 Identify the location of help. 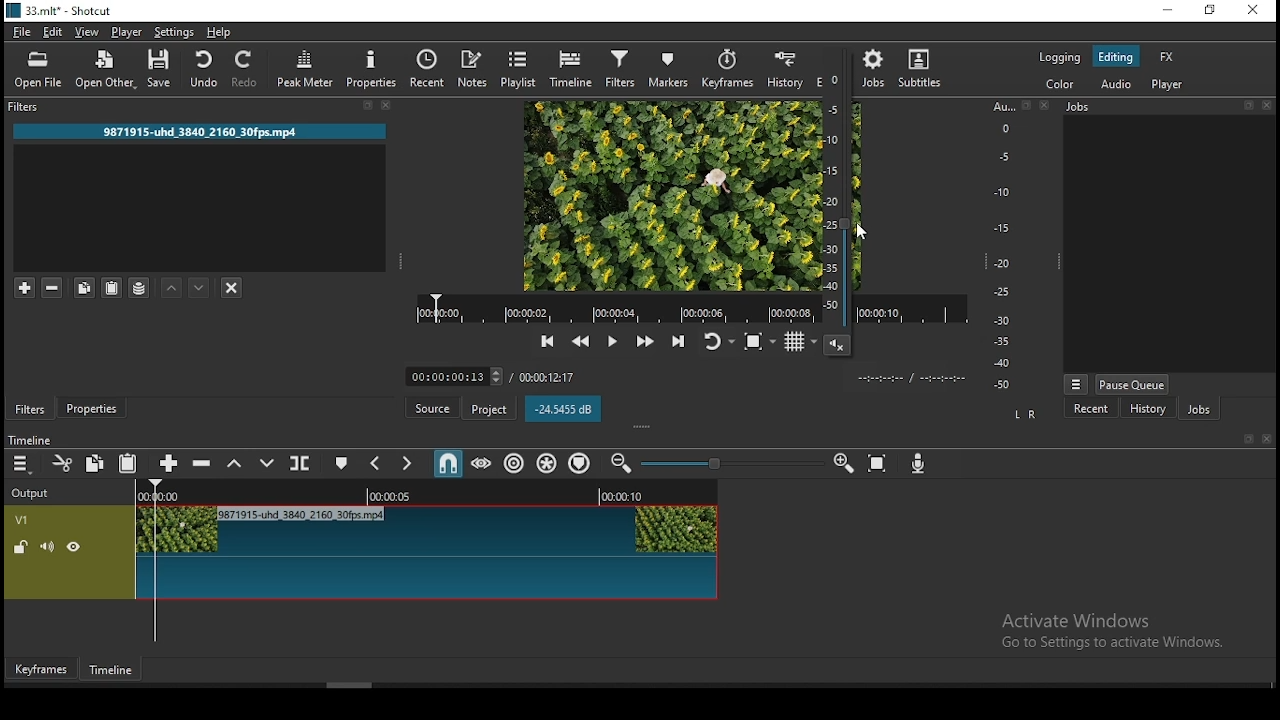
(223, 32).